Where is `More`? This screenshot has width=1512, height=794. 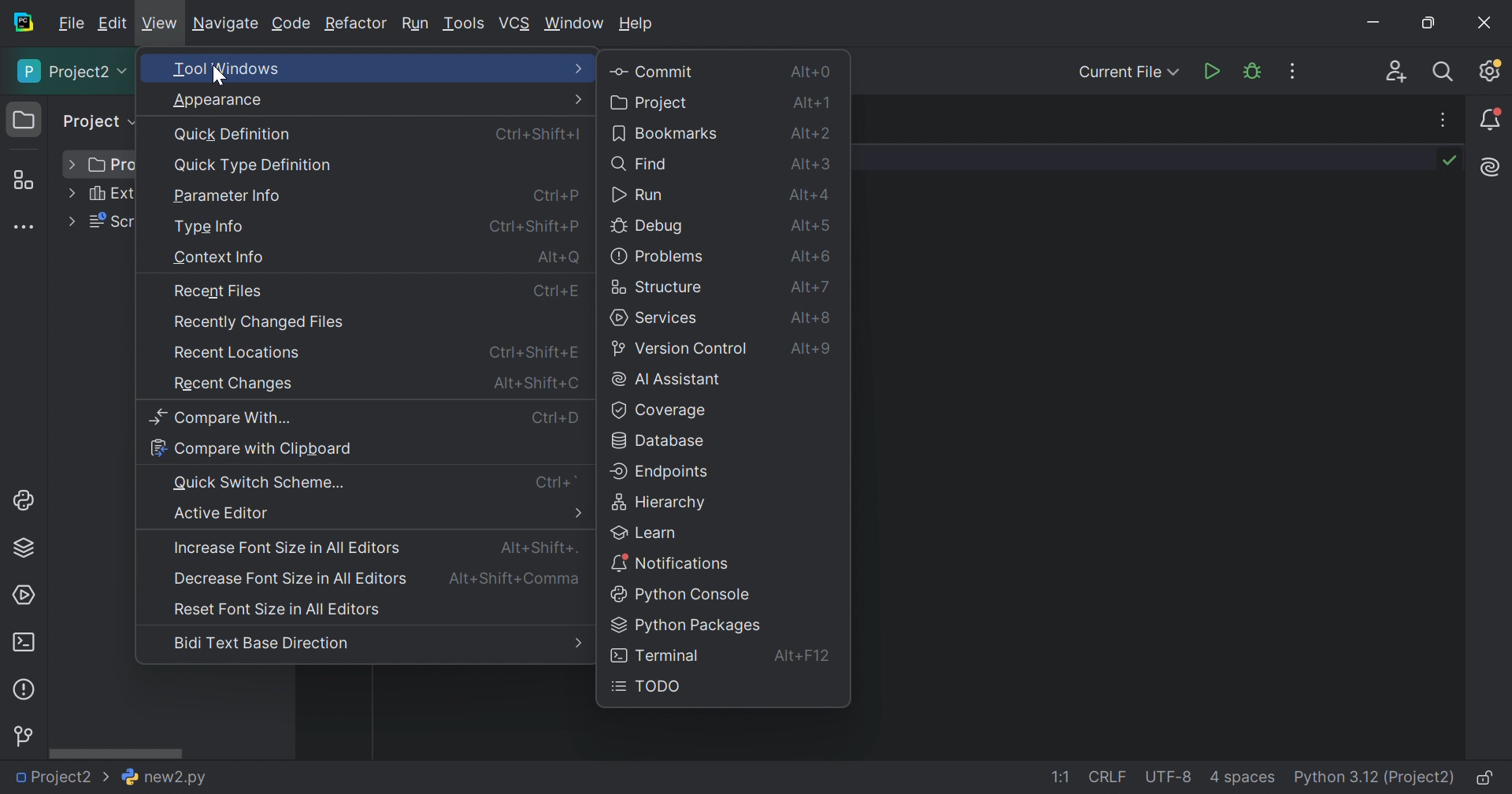 More is located at coordinates (577, 511).